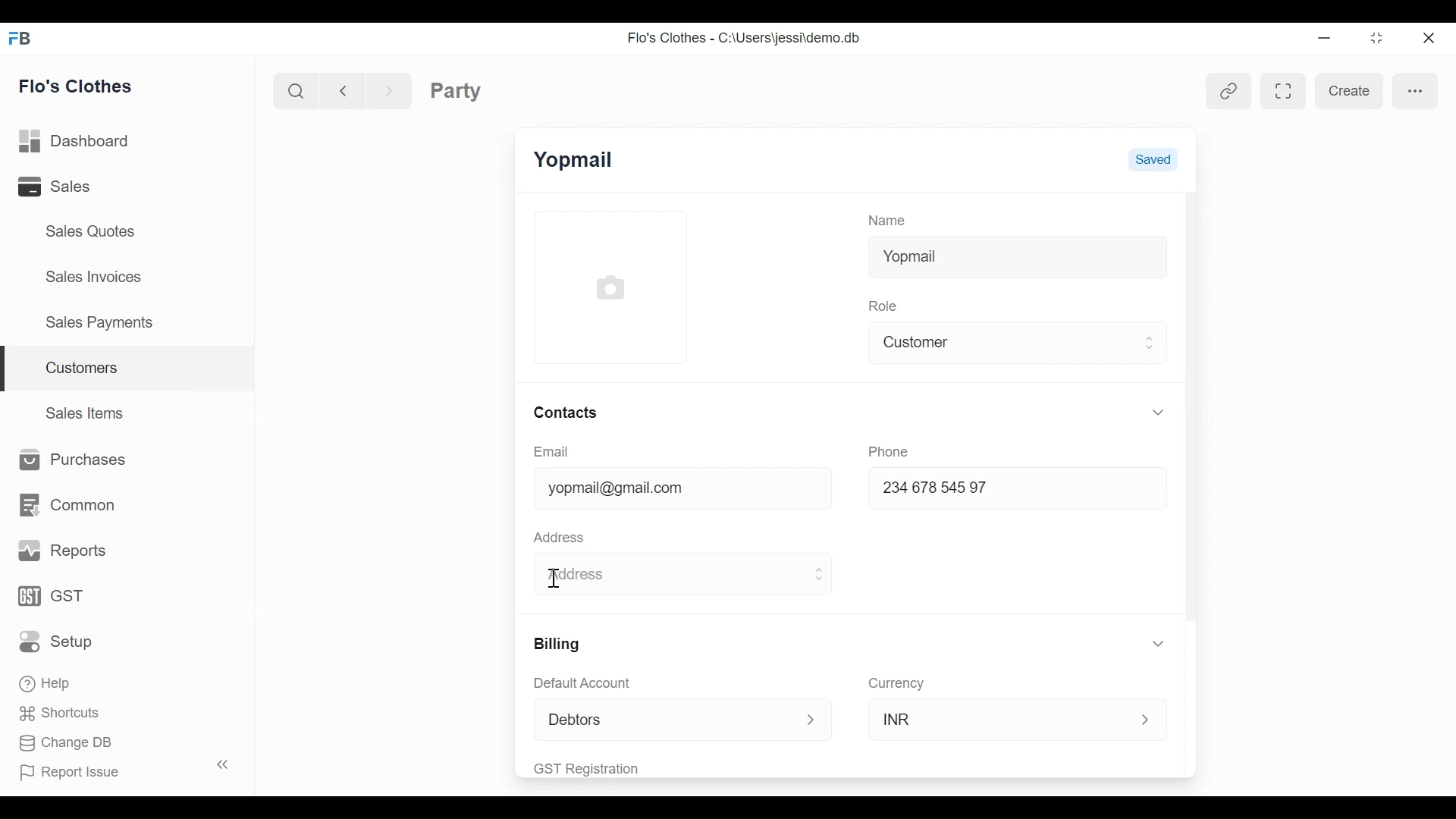 This screenshot has height=819, width=1456. I want to click on Cursor, so click(555, 579).